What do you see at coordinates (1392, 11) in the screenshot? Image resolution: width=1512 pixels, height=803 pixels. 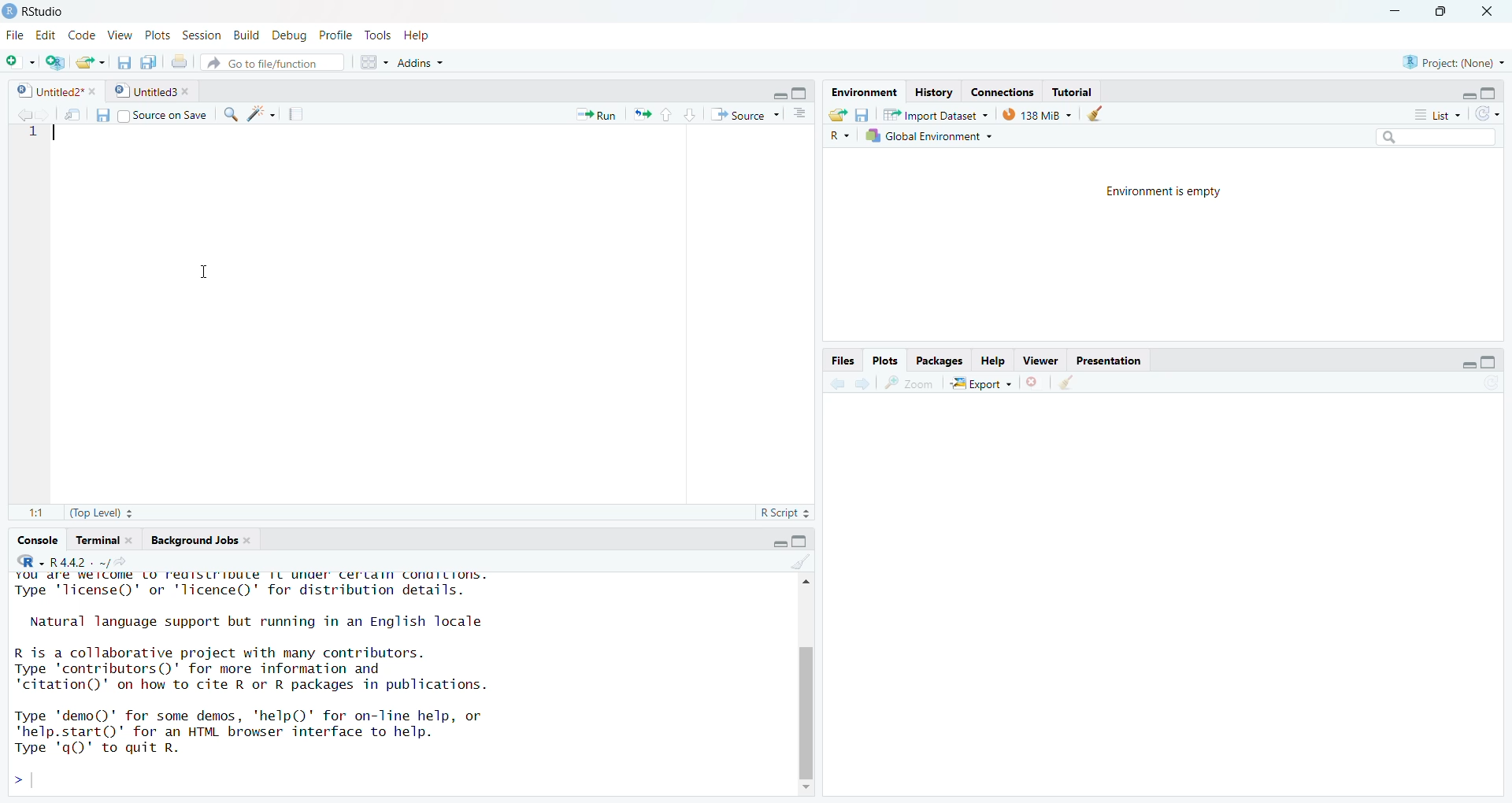 I see `minimize` at bounding box center [1392, 11].